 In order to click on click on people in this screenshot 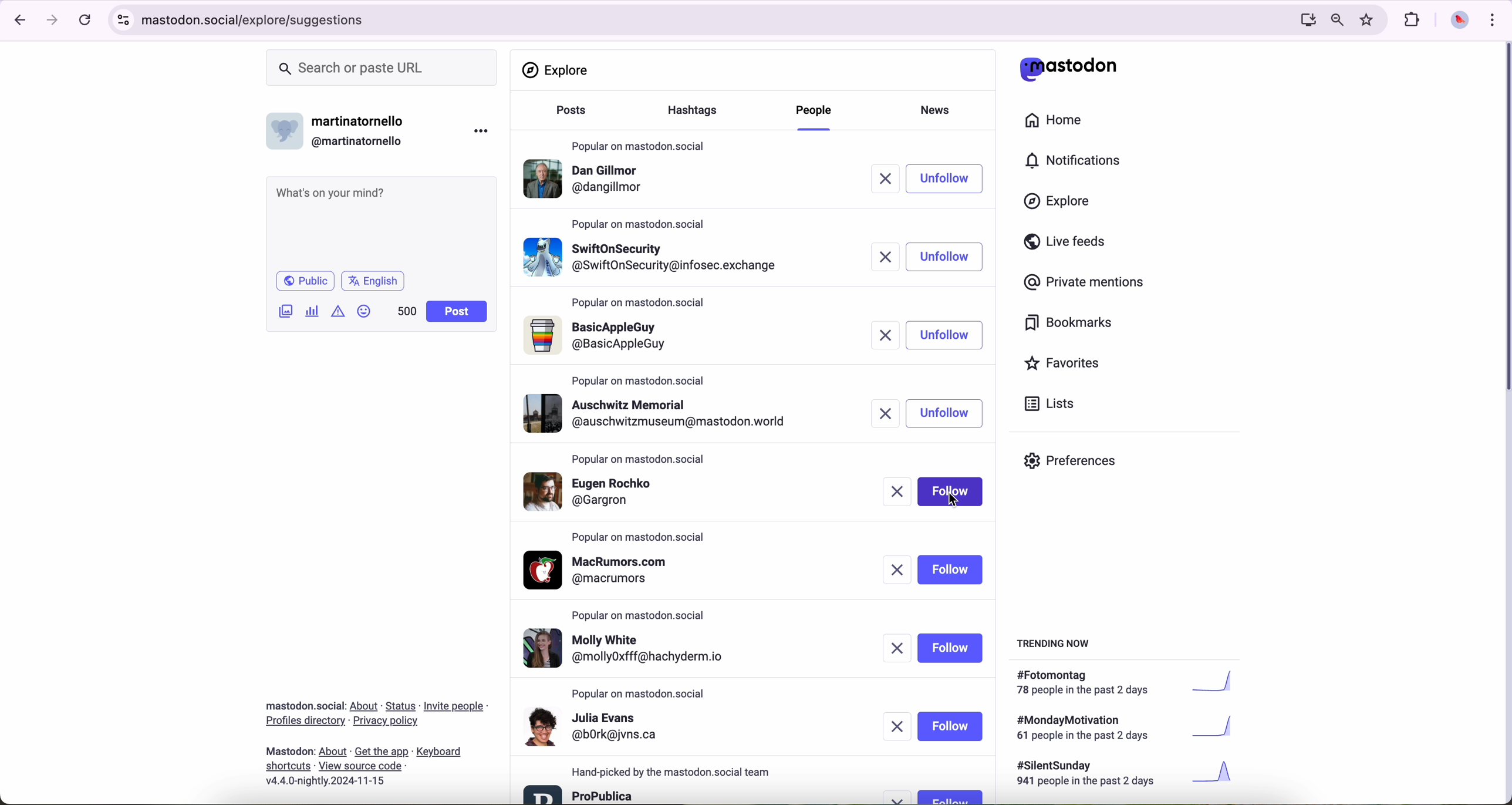, I will do `click(816, 116)`.